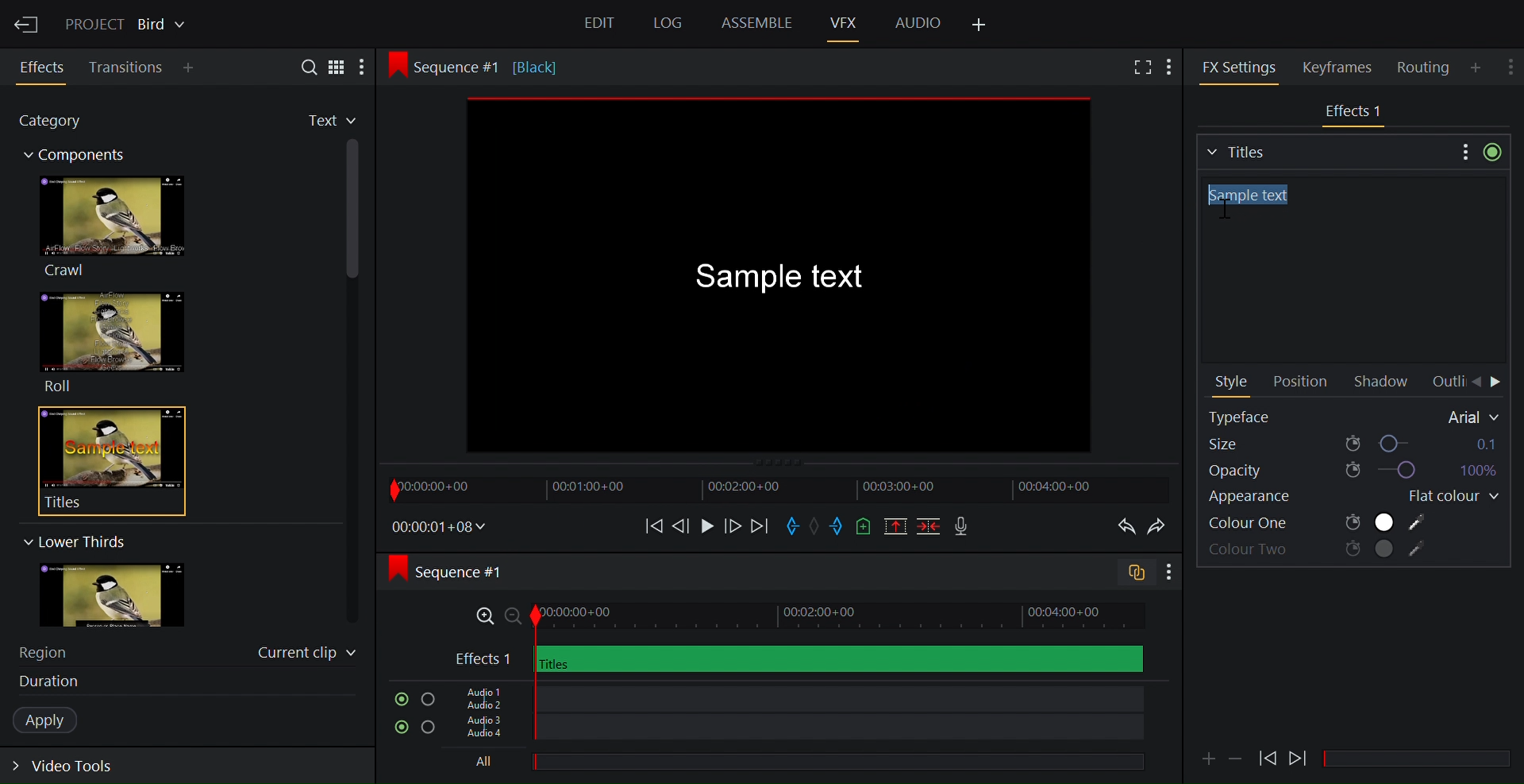 The image size is (1524, 784). What do you see at coordinates (1239, 67) in the screenshot?
I see `FX Settings` at bounding box center [1239, 67].